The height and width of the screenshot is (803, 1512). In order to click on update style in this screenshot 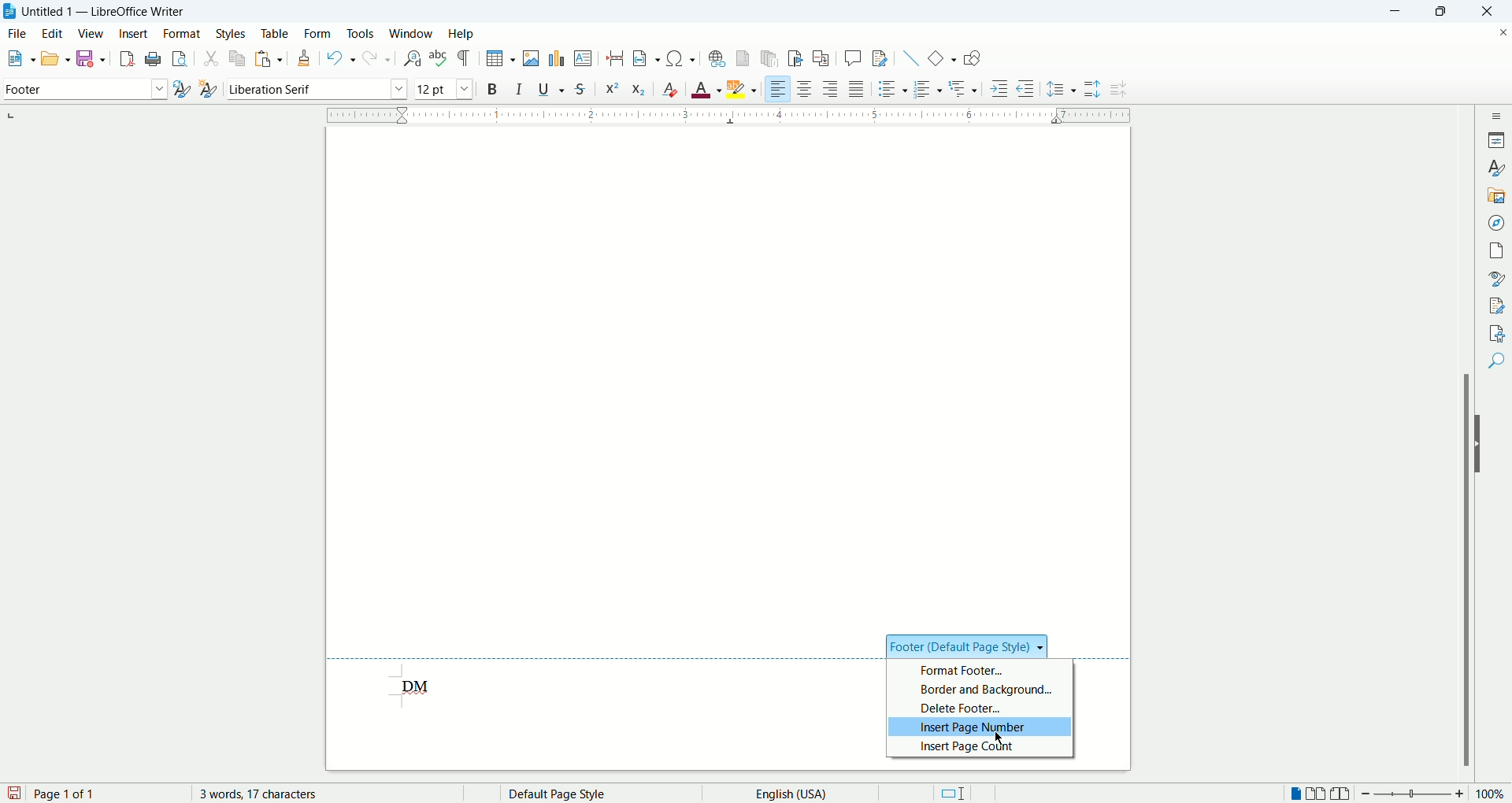, I will do `click(181, 90)`.